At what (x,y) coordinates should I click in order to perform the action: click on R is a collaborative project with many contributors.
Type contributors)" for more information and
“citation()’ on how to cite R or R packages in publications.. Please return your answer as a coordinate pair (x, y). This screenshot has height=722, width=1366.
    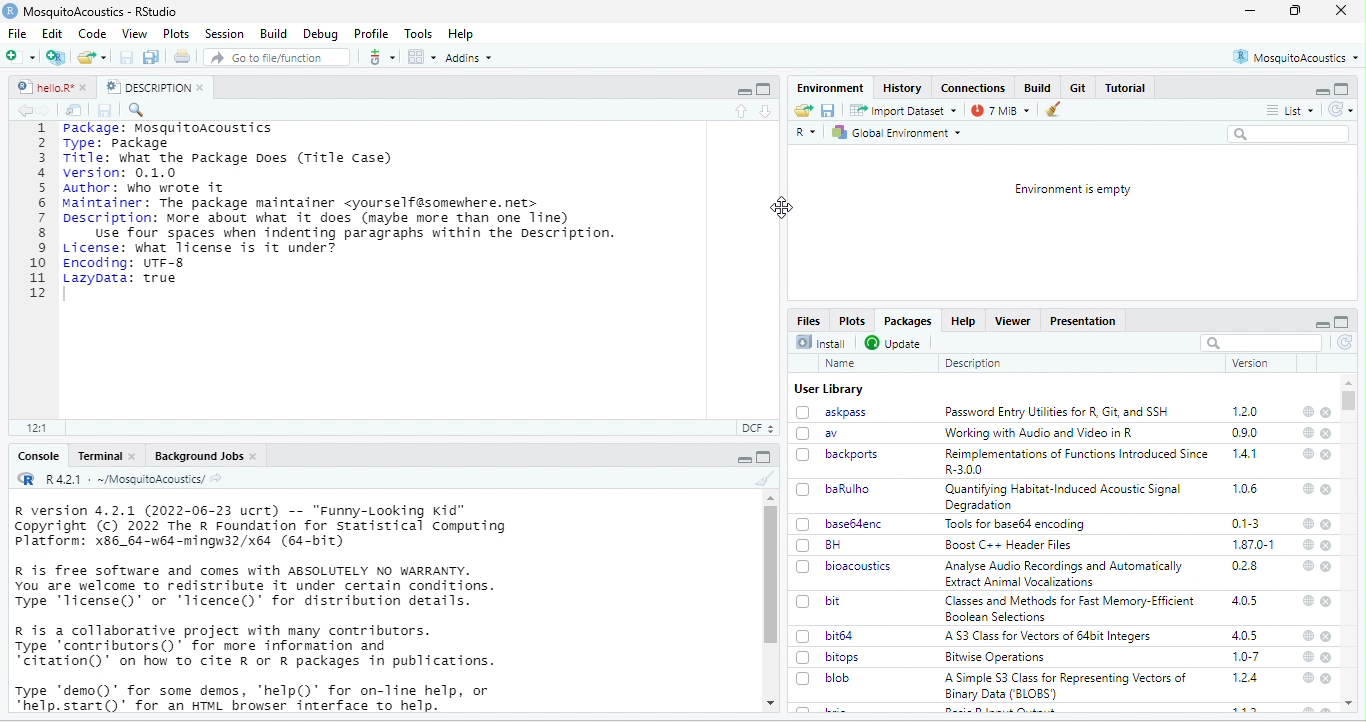
    Looking at the image, I should click on (255, 648).